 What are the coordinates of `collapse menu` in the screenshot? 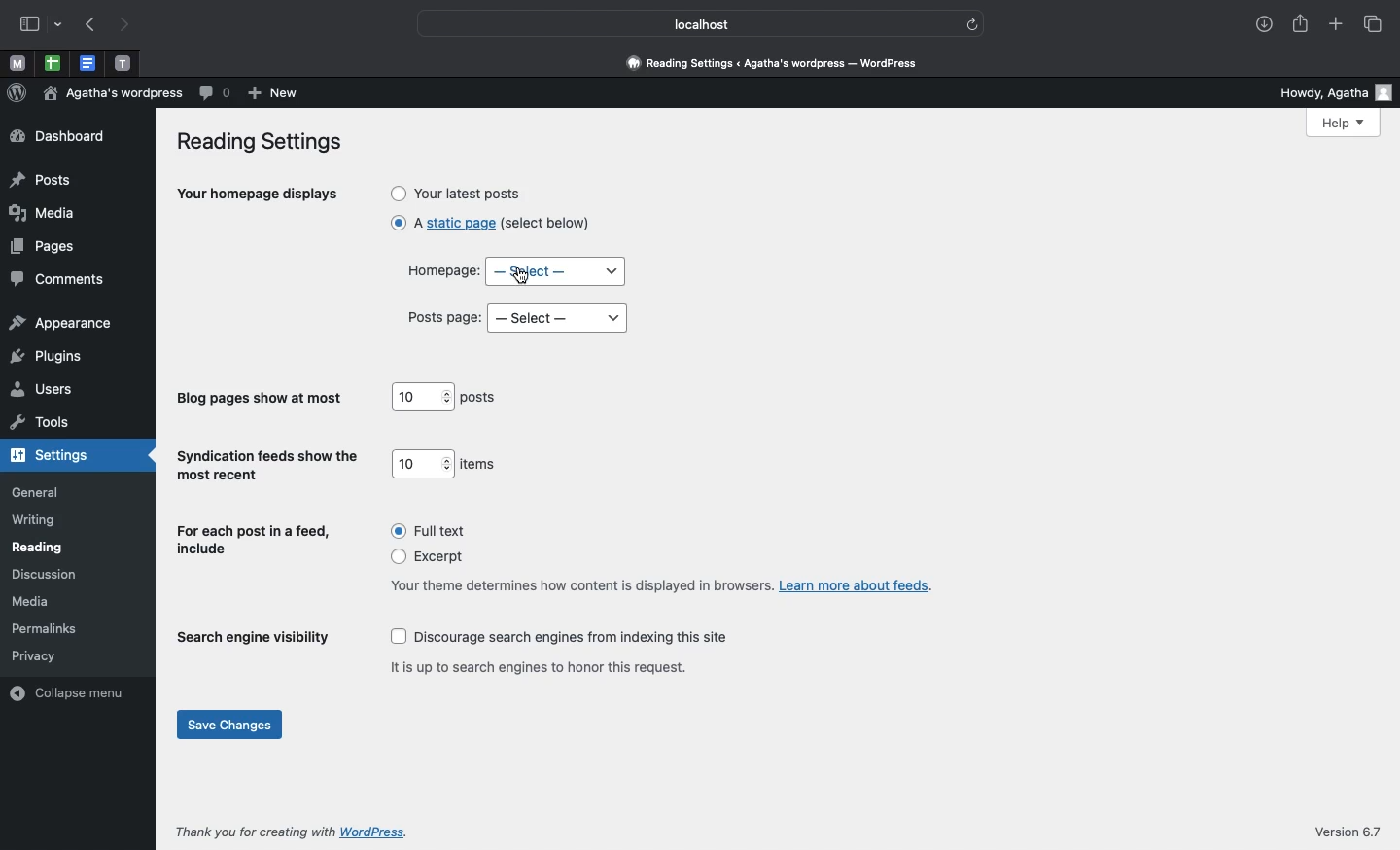 It's located at (72, 691).